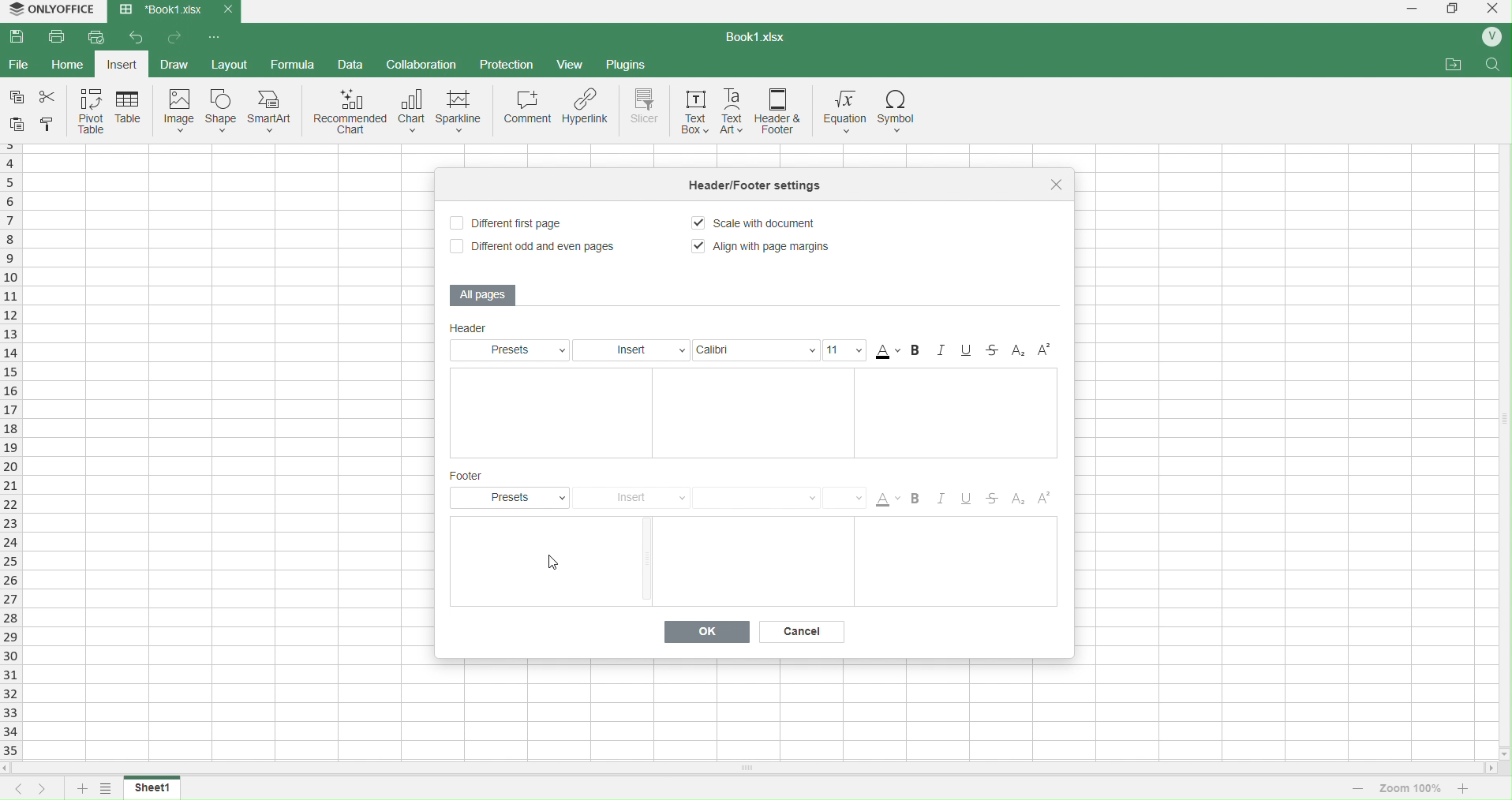  What do you see at coordinates (177, 37) in the screenshot?
I see `forward` at bounding box center [177, 37].